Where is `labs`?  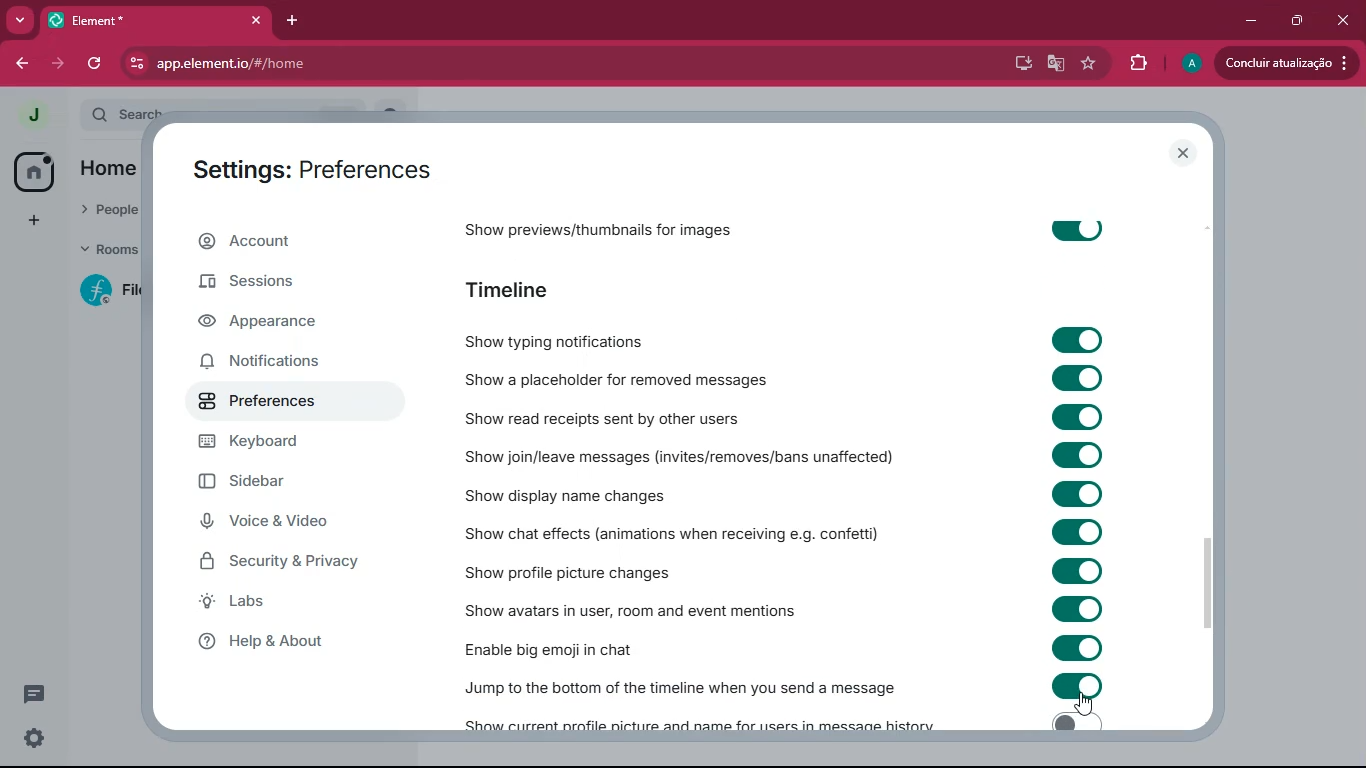 labs is located at coordinates (284, 605).